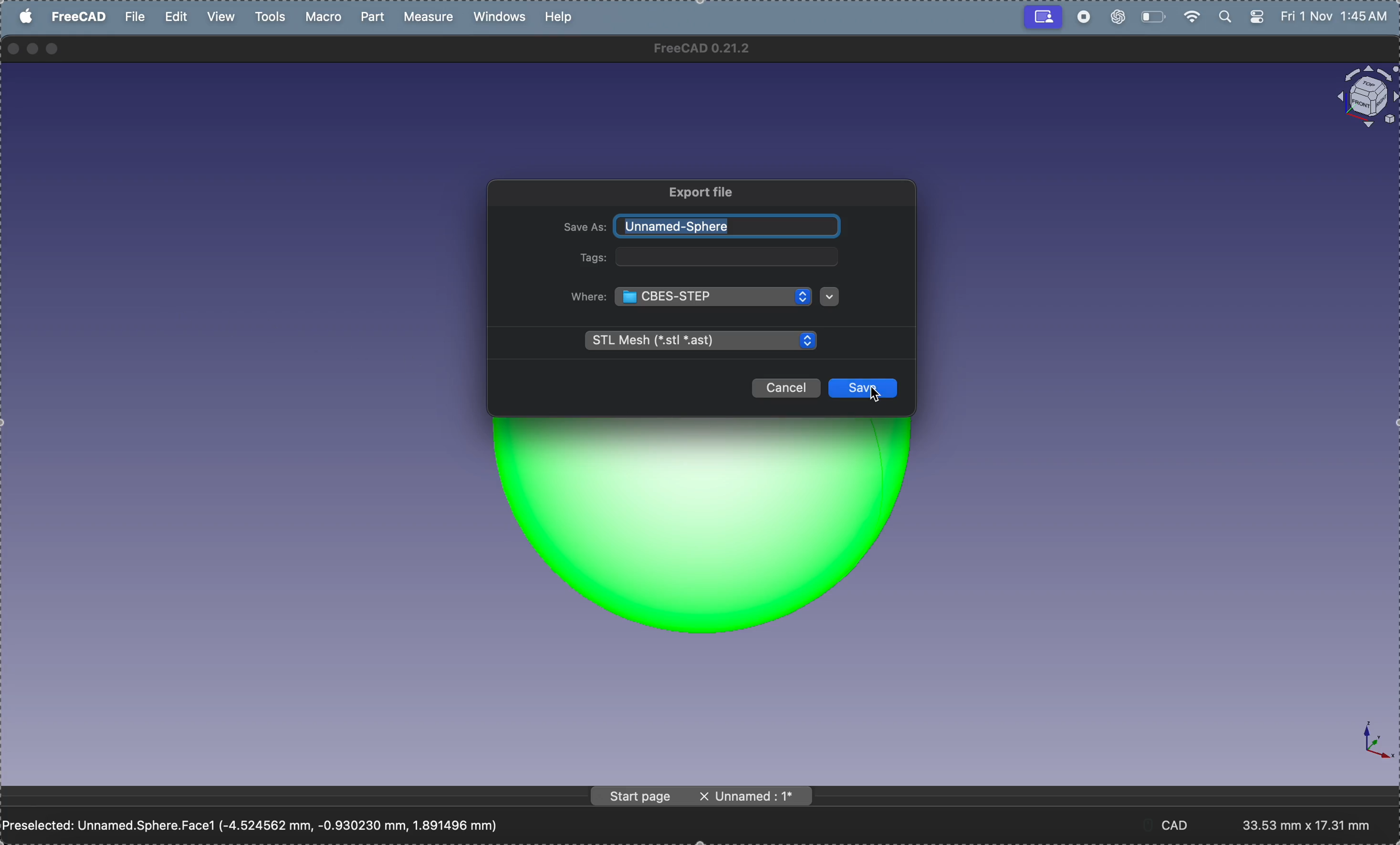 The height and width of the screenshot is (845, 1400). I want to click on save as, so click(582, 227).